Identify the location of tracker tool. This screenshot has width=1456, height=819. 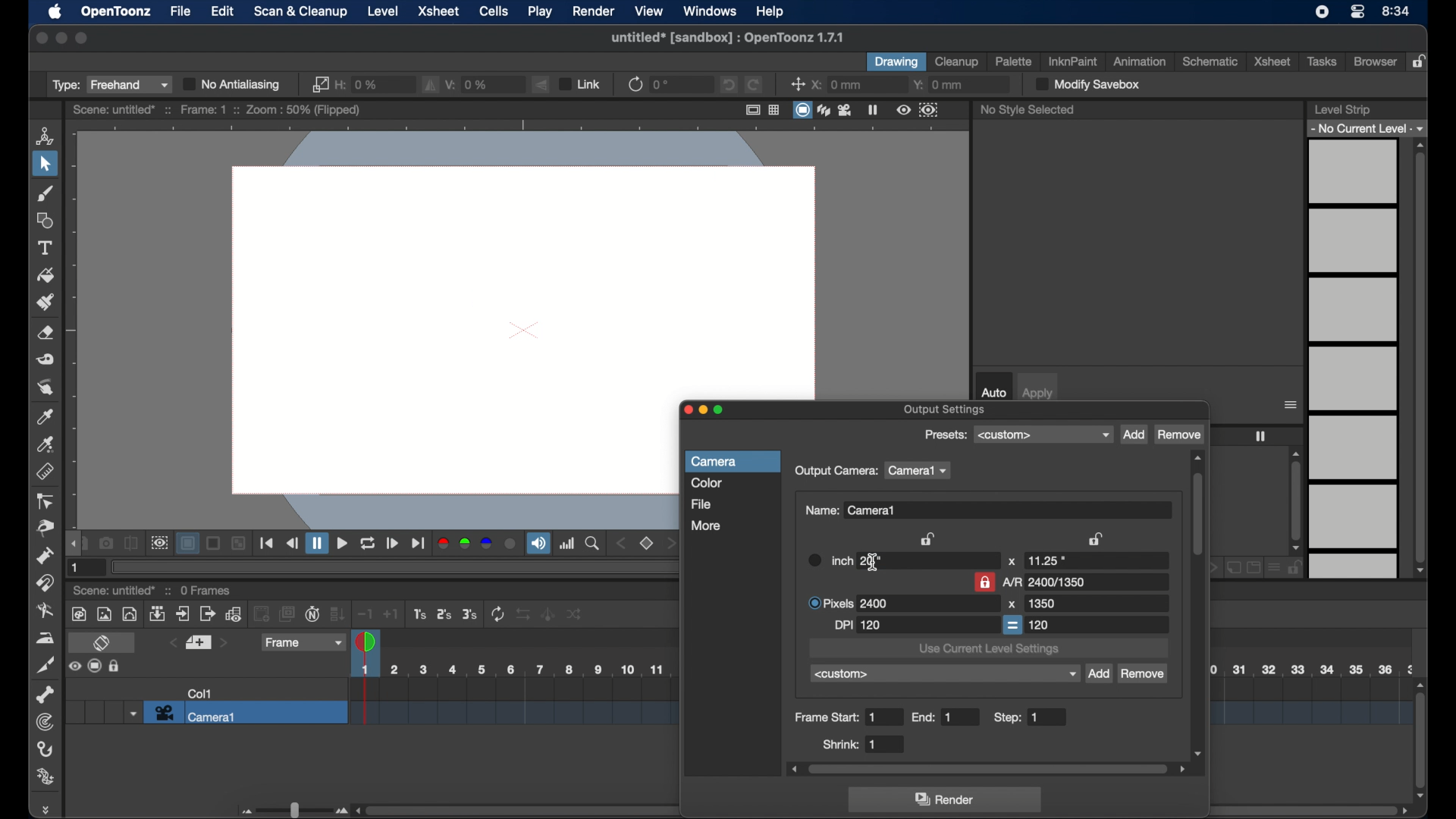
(44, 722).